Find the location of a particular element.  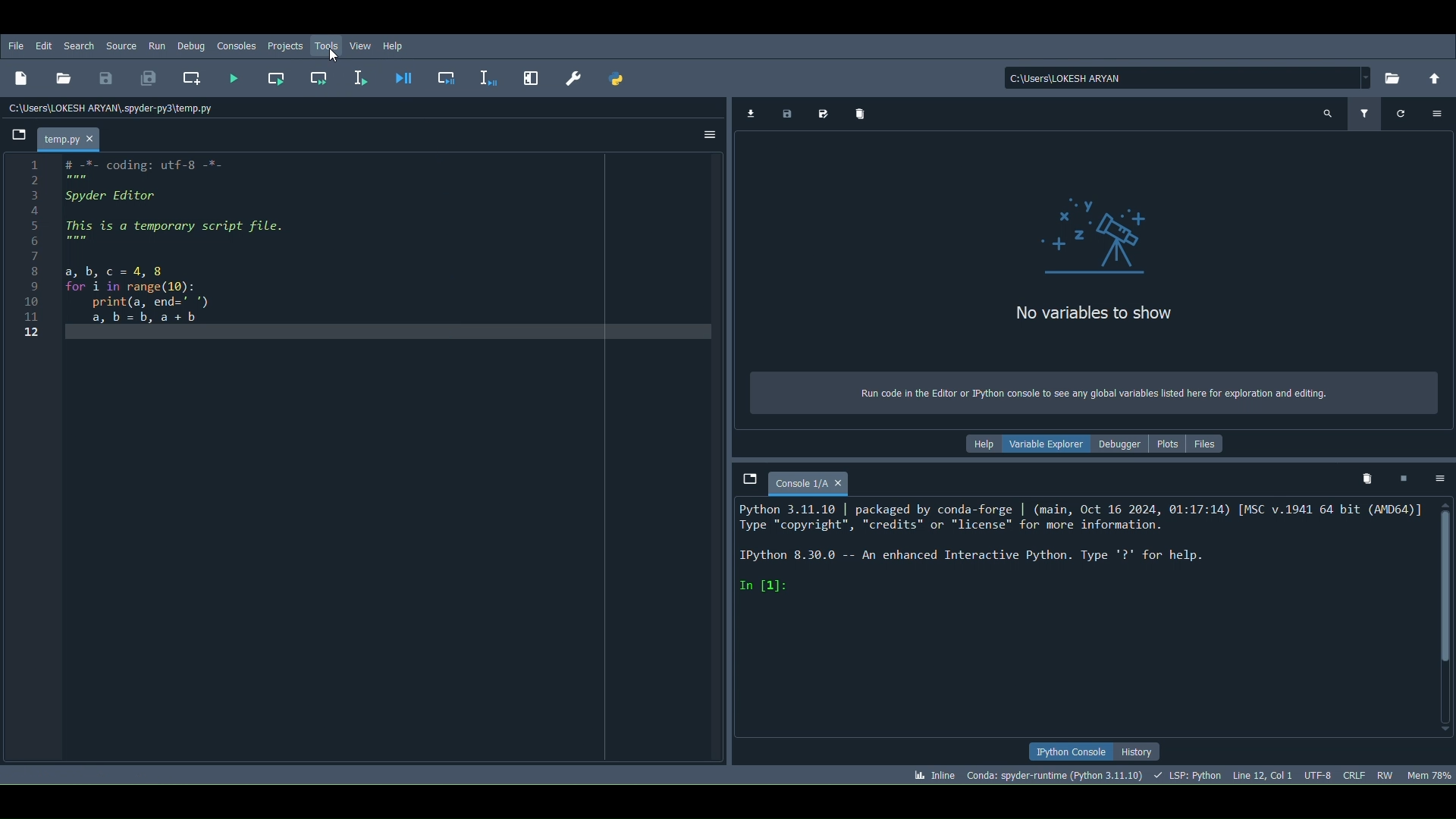

Options is located at coordinates (1439, 111).